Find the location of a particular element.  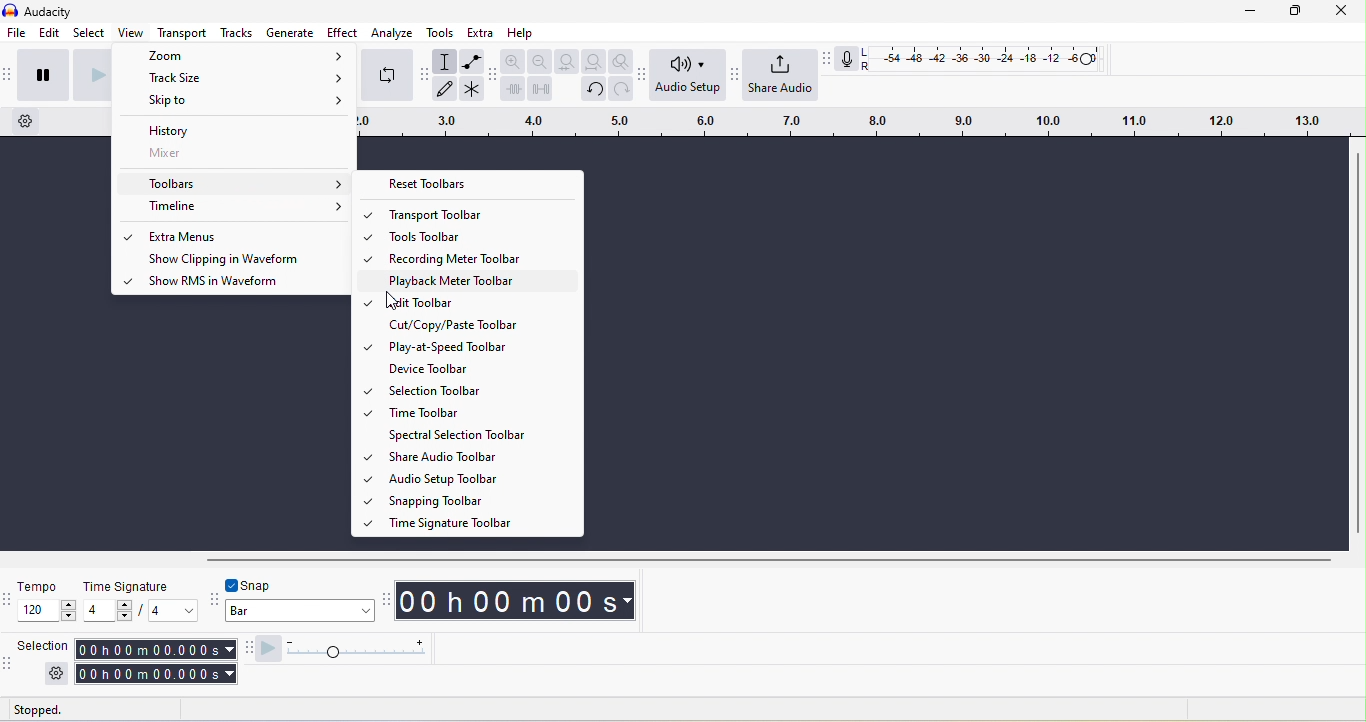

Track size is located at coordinates (235, 76).